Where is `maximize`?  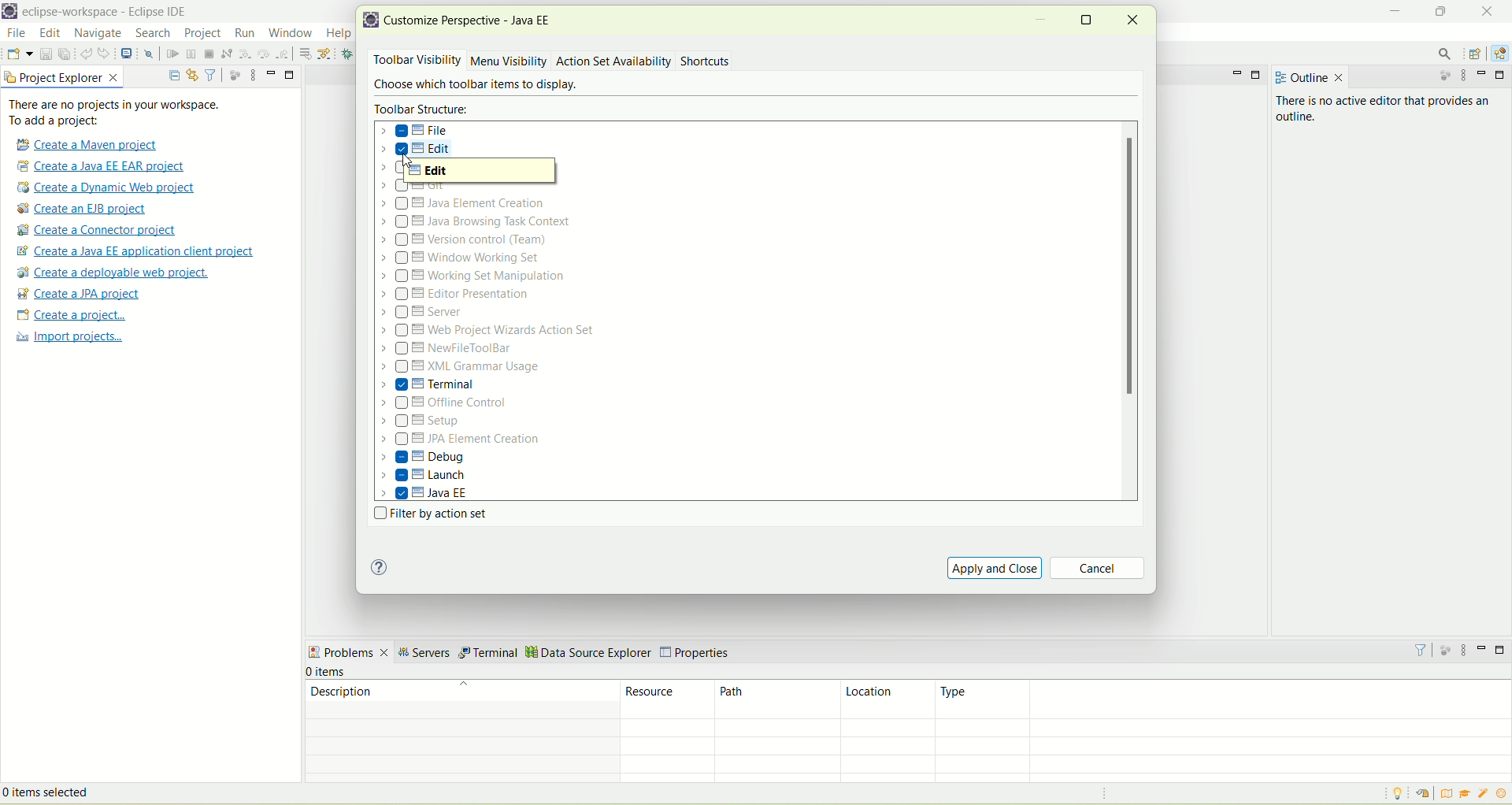 maximize is located at coordinates (291, 76).